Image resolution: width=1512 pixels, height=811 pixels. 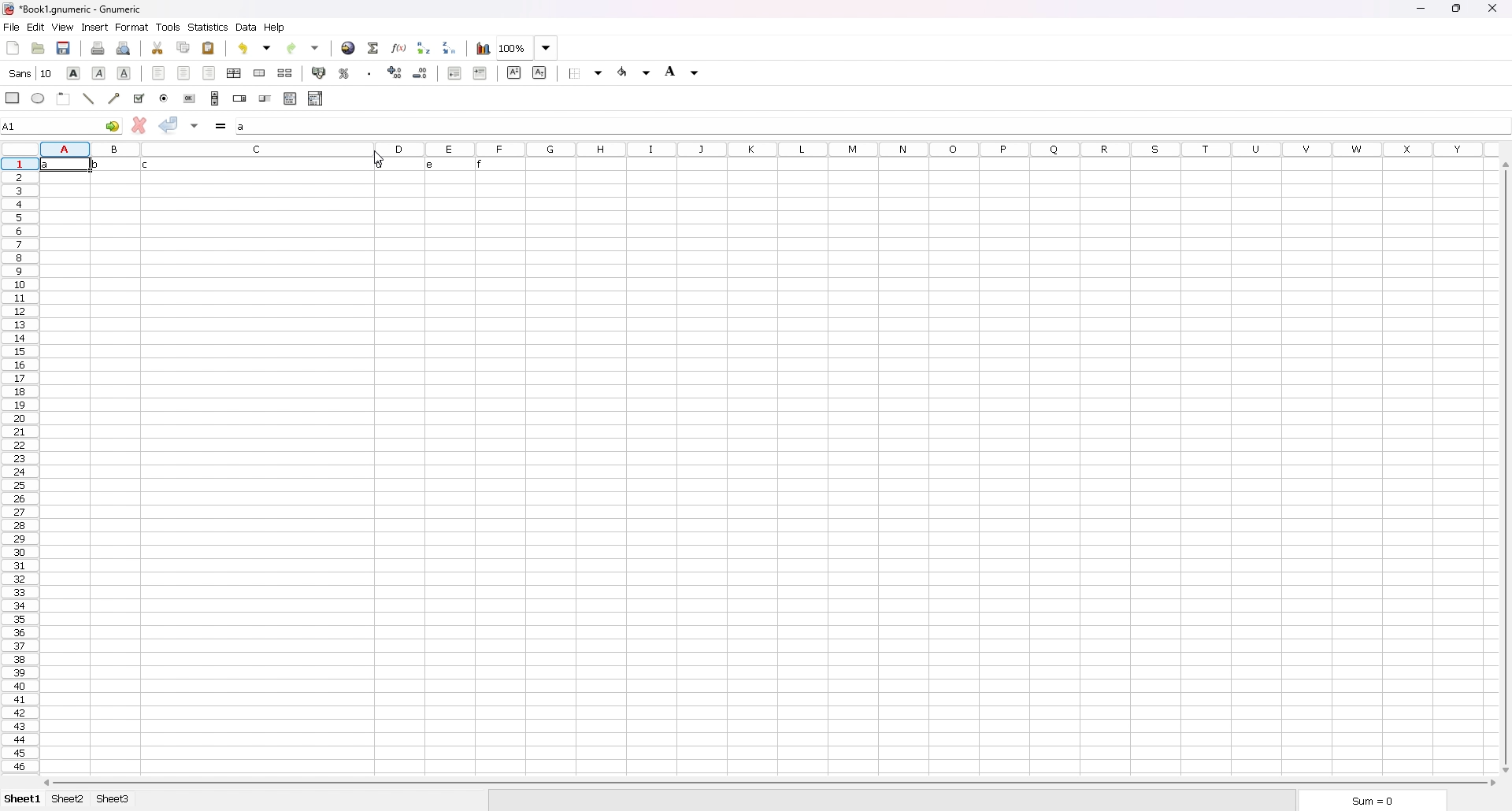 What do you see at coordinates (99, 72) in the screenshot?
I see `italic` at bounding box center [99, 72].